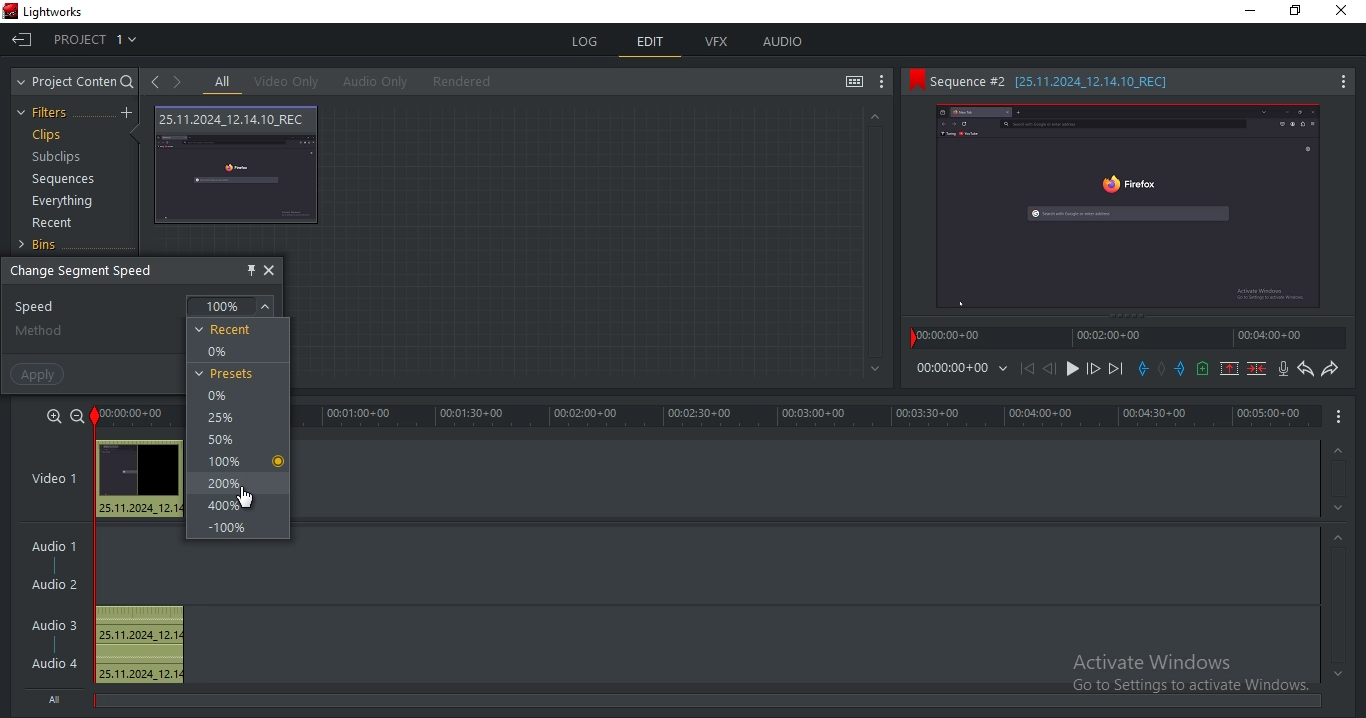  What do you see at coordinates (1041, 370) in the screenshot?
I see `` at bounding box center [1041, 370].